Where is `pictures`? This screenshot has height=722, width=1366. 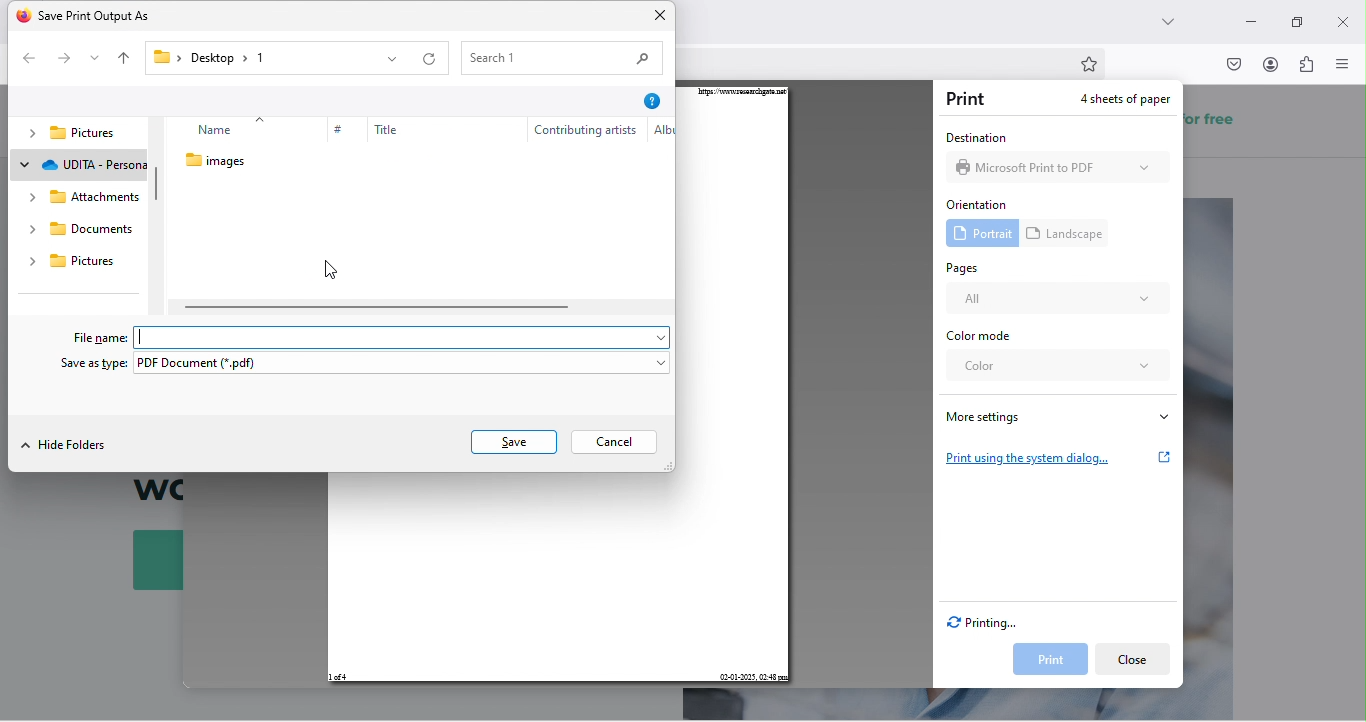
pictures is located at coordinates (74, 262).